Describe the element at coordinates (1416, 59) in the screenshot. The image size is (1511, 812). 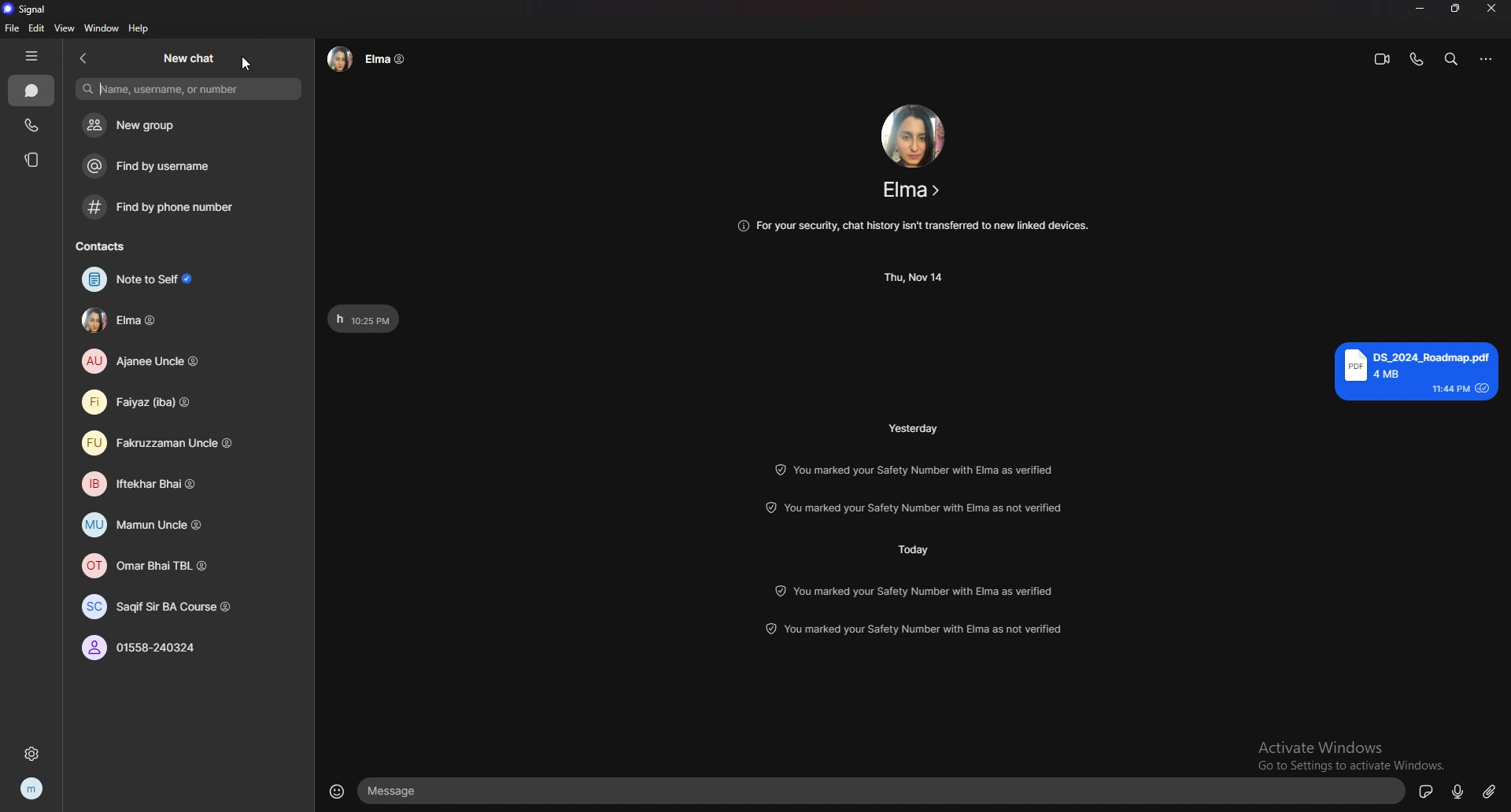
I see `voice call` at that location.